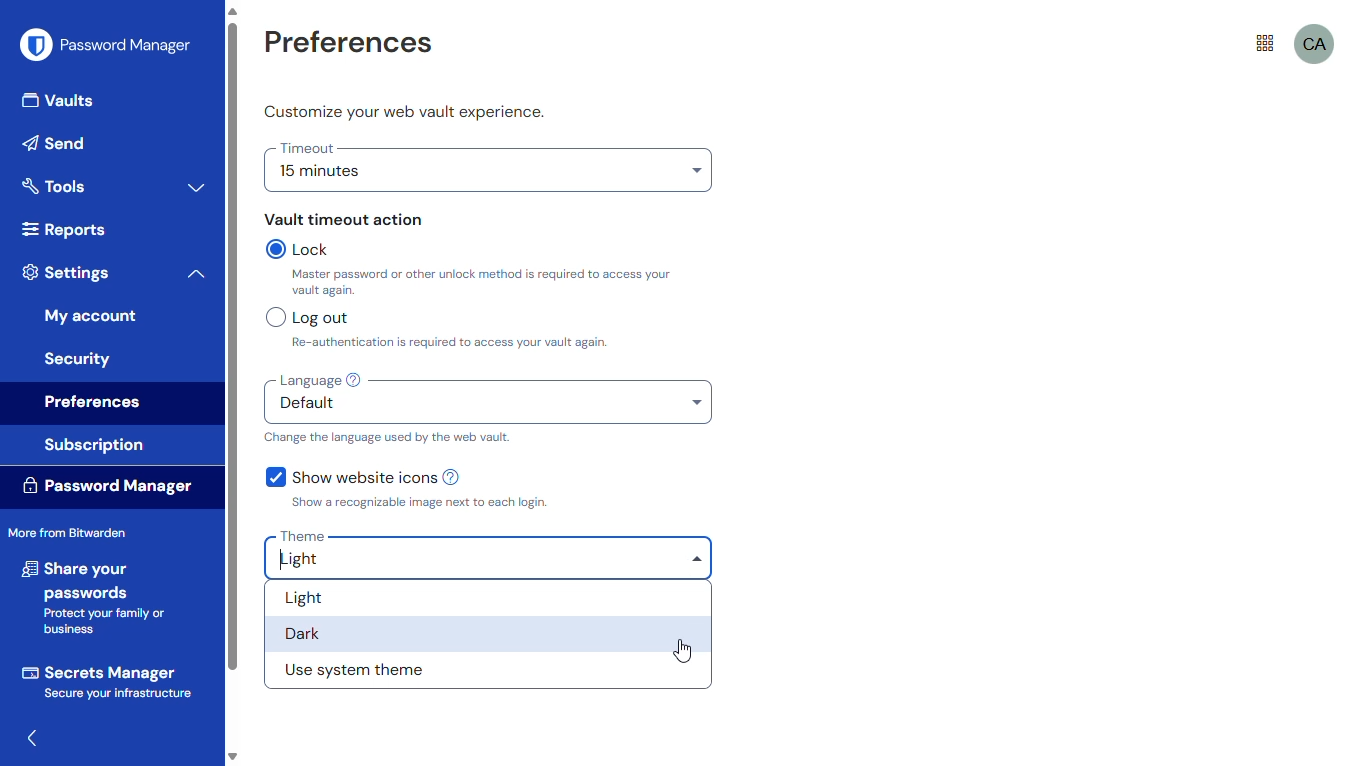  Describe the element at coordinates (108, 681) in the screenshot. I see `Secrets Manager Secure your infrastructure` at that location.